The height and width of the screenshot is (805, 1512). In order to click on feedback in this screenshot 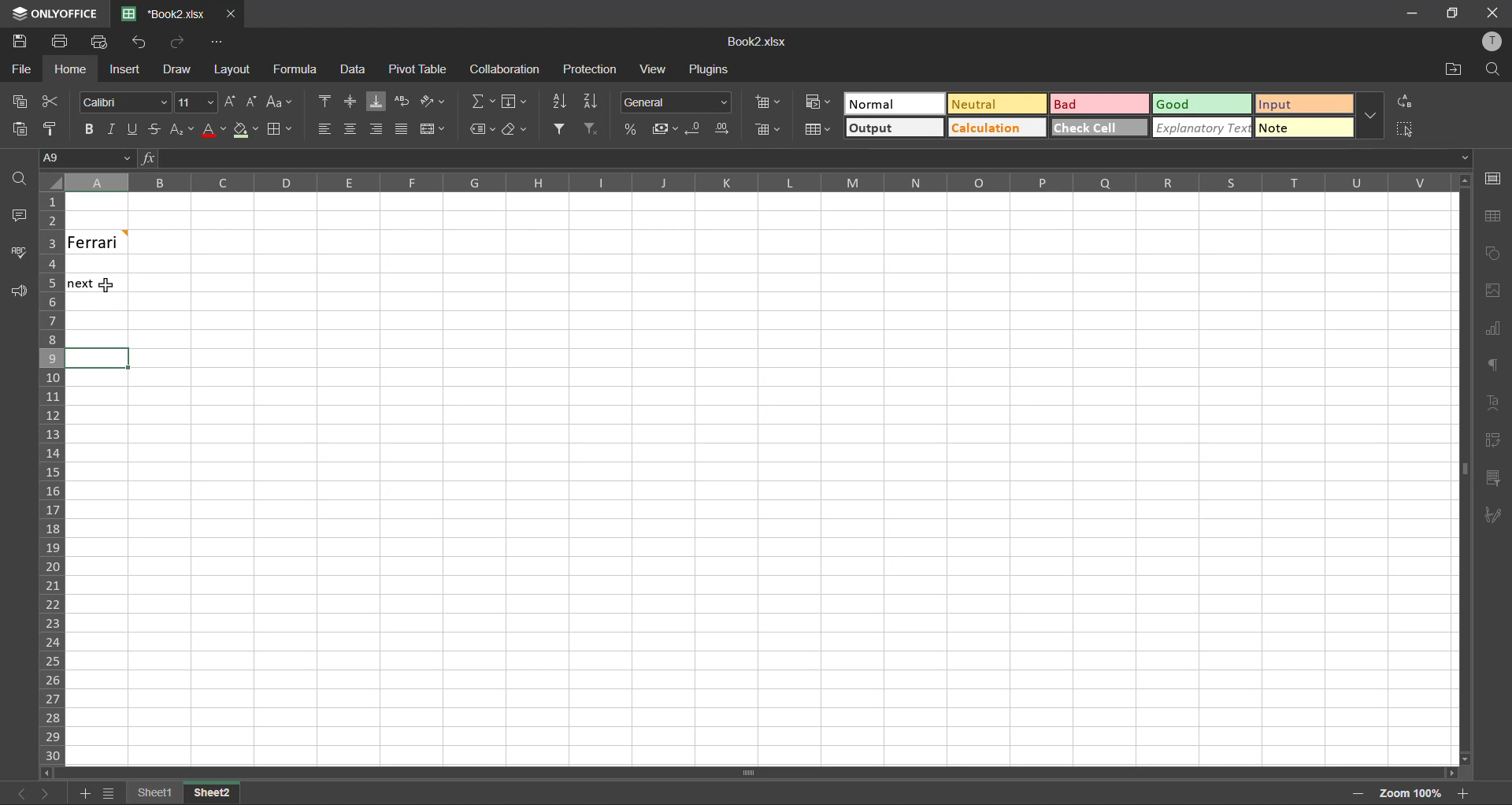, I will do `click(20, 293)`.